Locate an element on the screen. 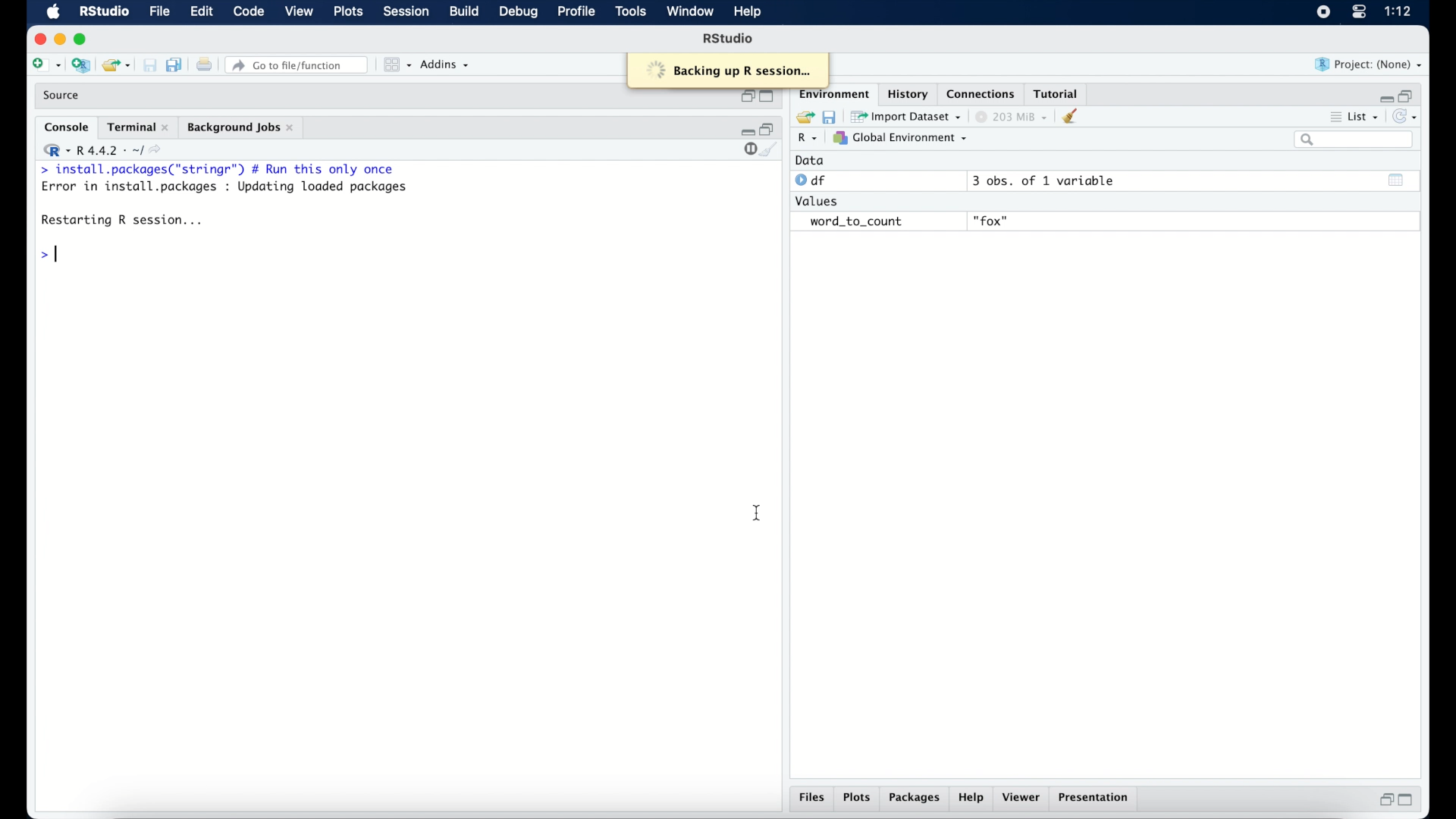 This screenshot has width=1456, height=819. save all document is located at coordinates (177, 66).